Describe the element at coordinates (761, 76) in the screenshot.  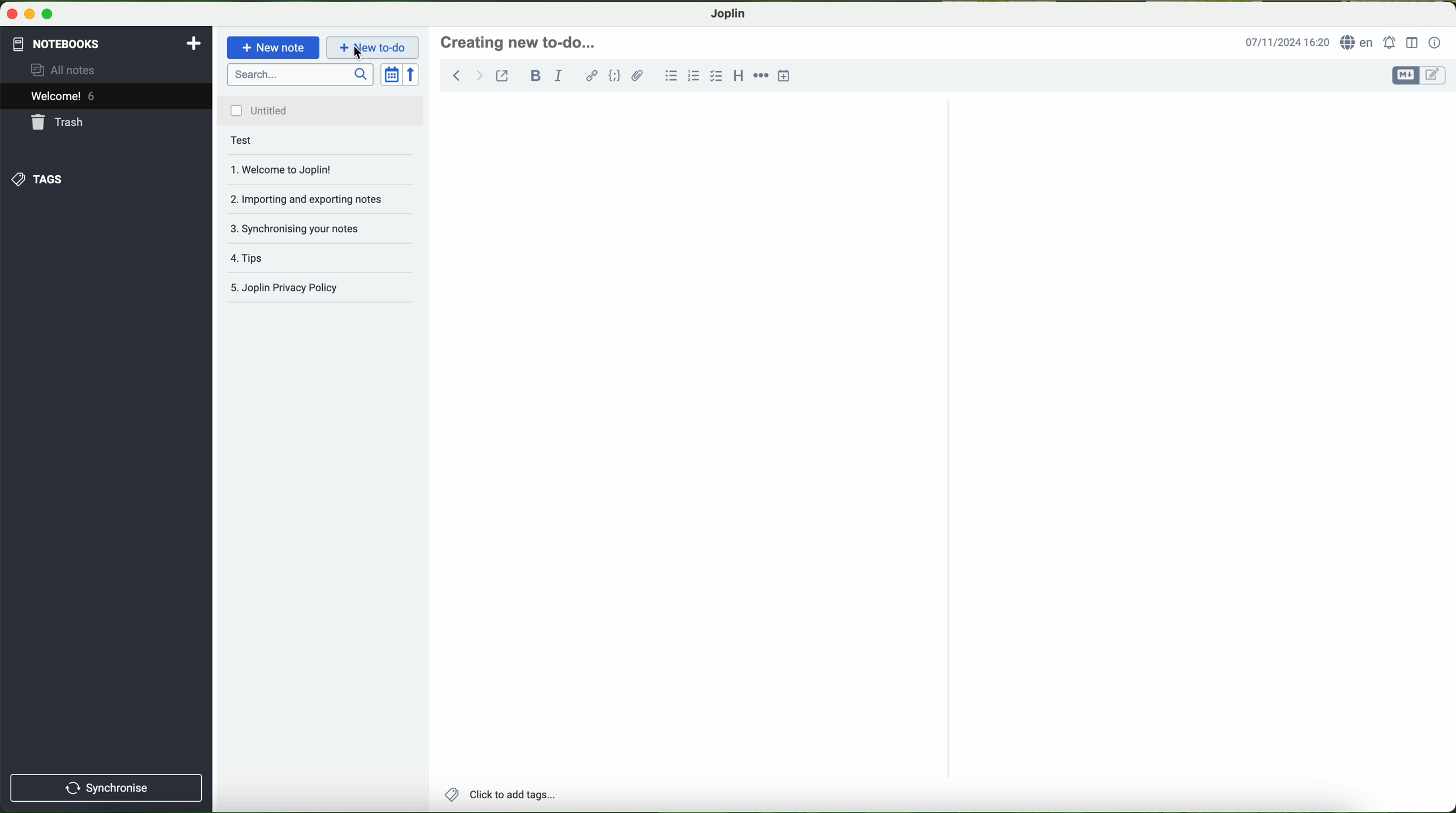
I see `horizontal rule` at that location.